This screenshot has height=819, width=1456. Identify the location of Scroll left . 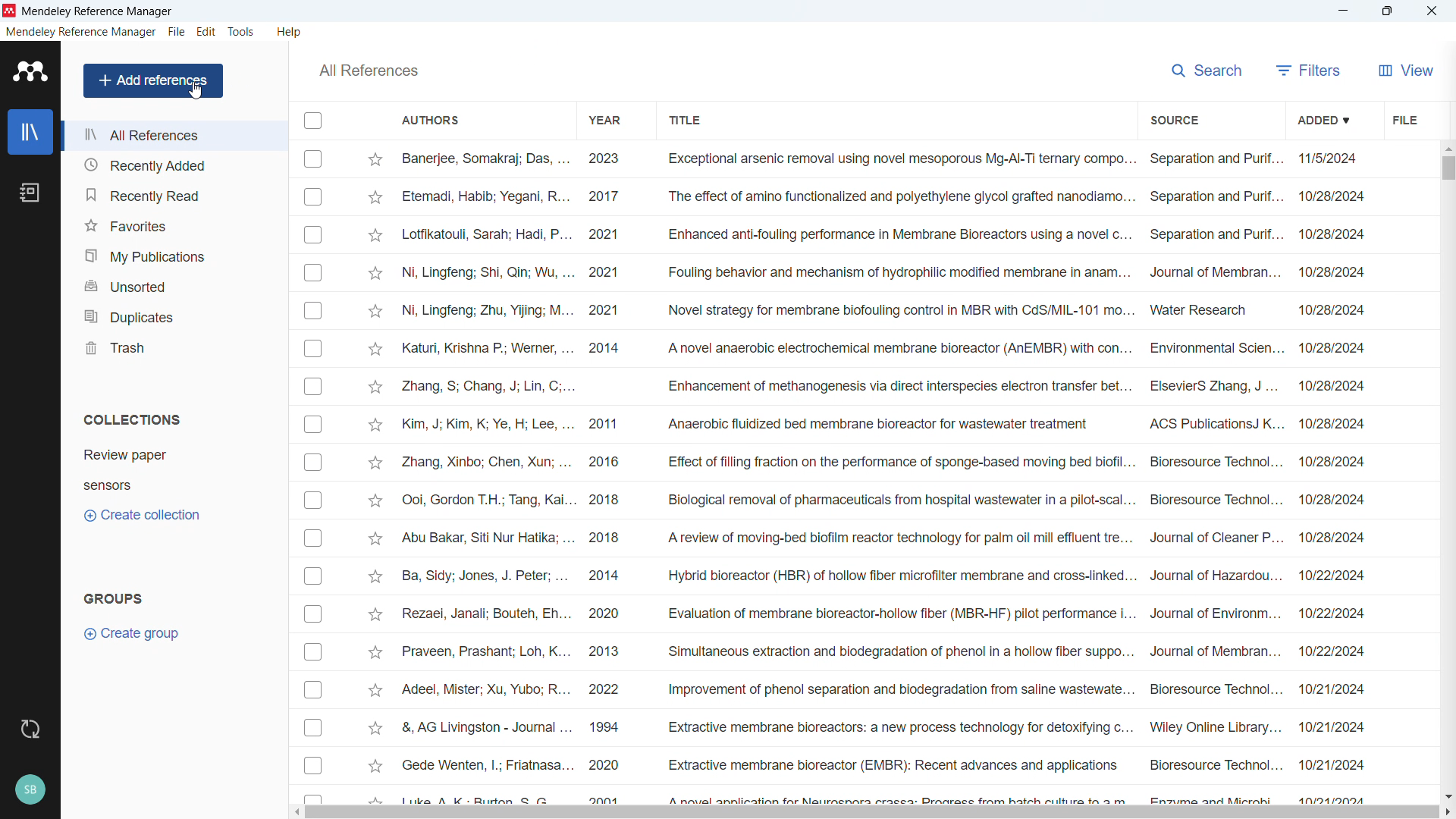
(296, 812).